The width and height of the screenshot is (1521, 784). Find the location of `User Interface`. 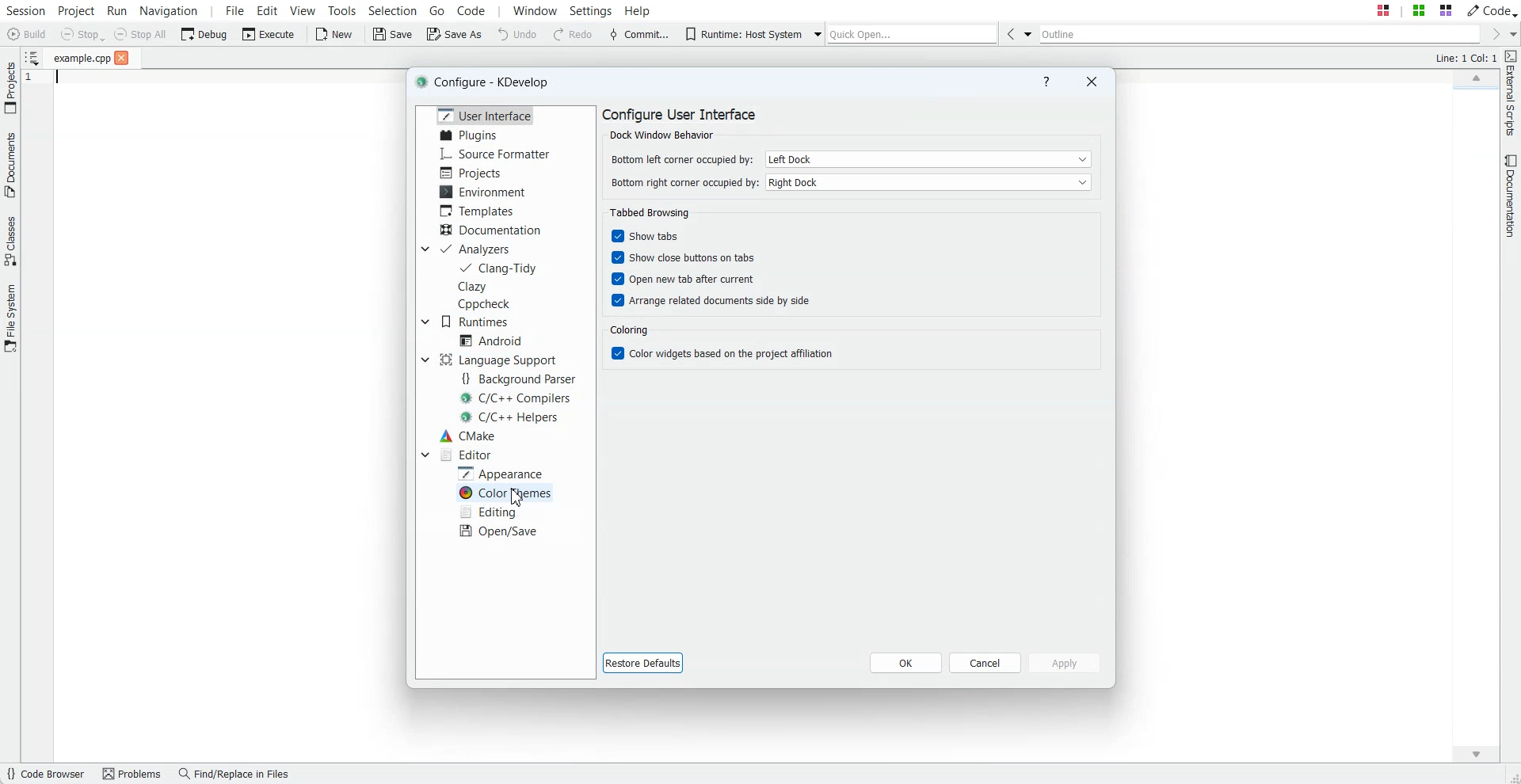

User Interface is located at coordinates (482, 115).